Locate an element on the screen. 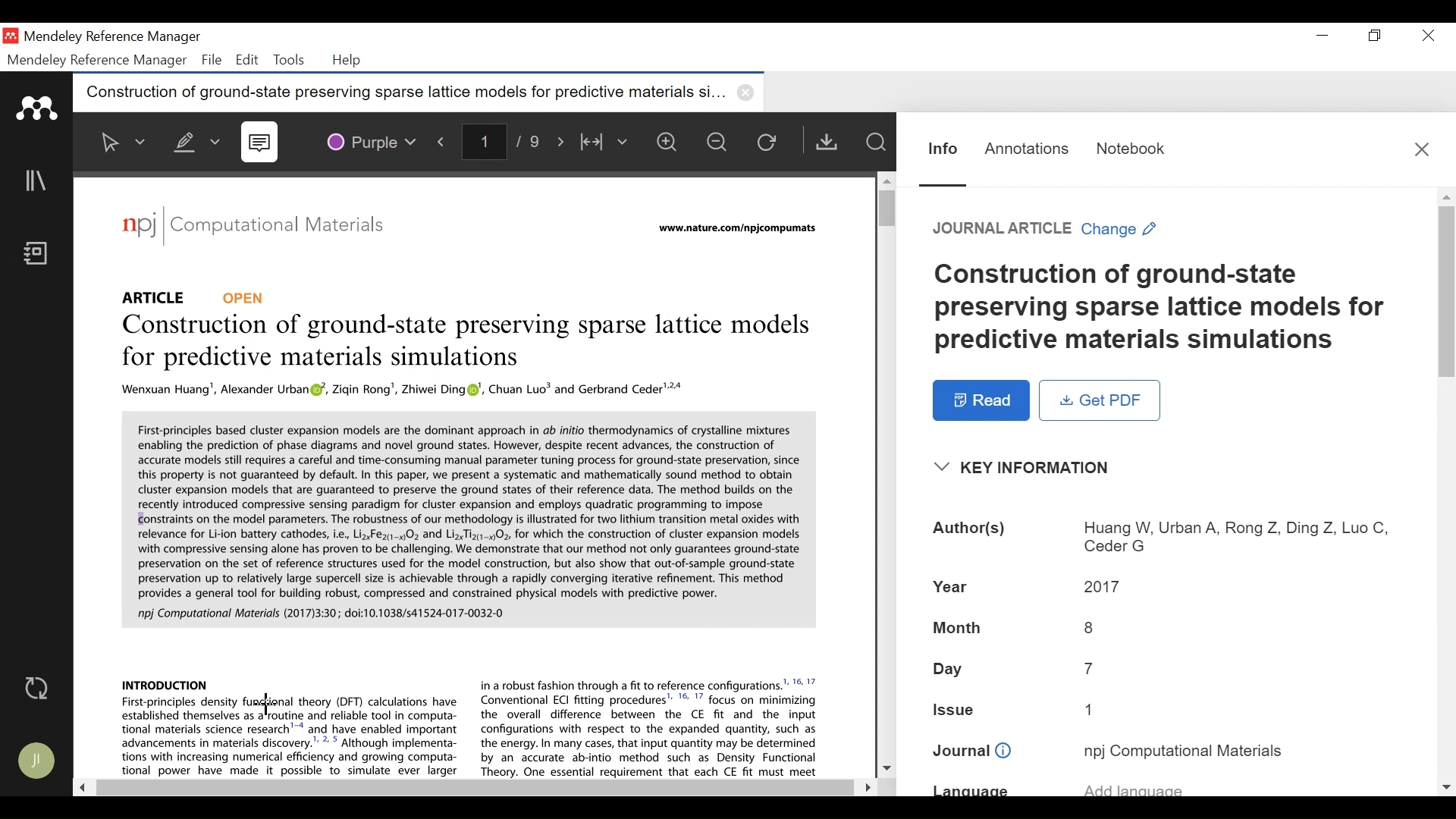 The image size is (1456, 819). Issue is located at coordinates (1166, 713).